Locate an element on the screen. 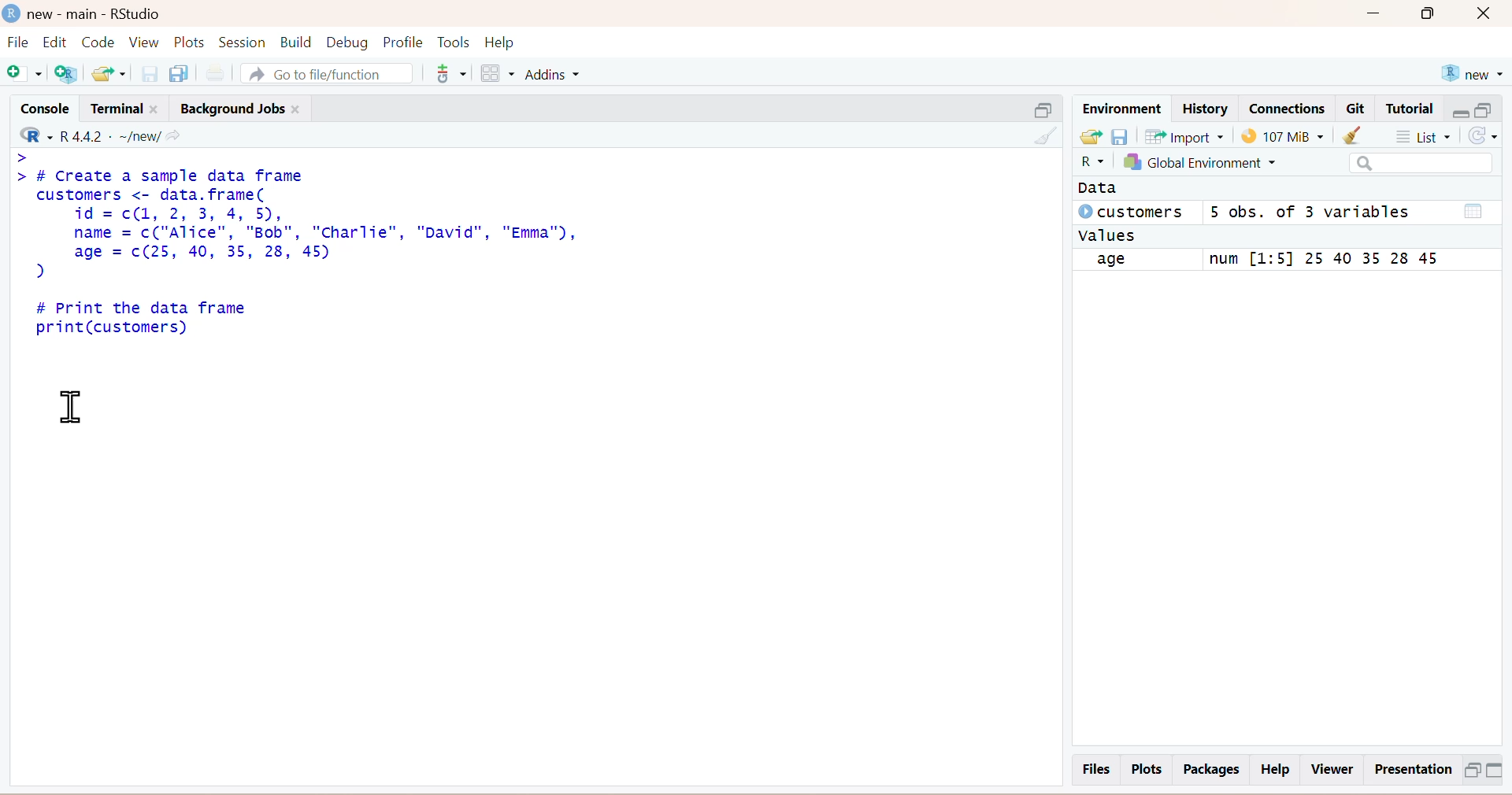 Image resolution: width=1512 pixels, height=795 pixels. Load workspace is located at coordinates (1090, 137).